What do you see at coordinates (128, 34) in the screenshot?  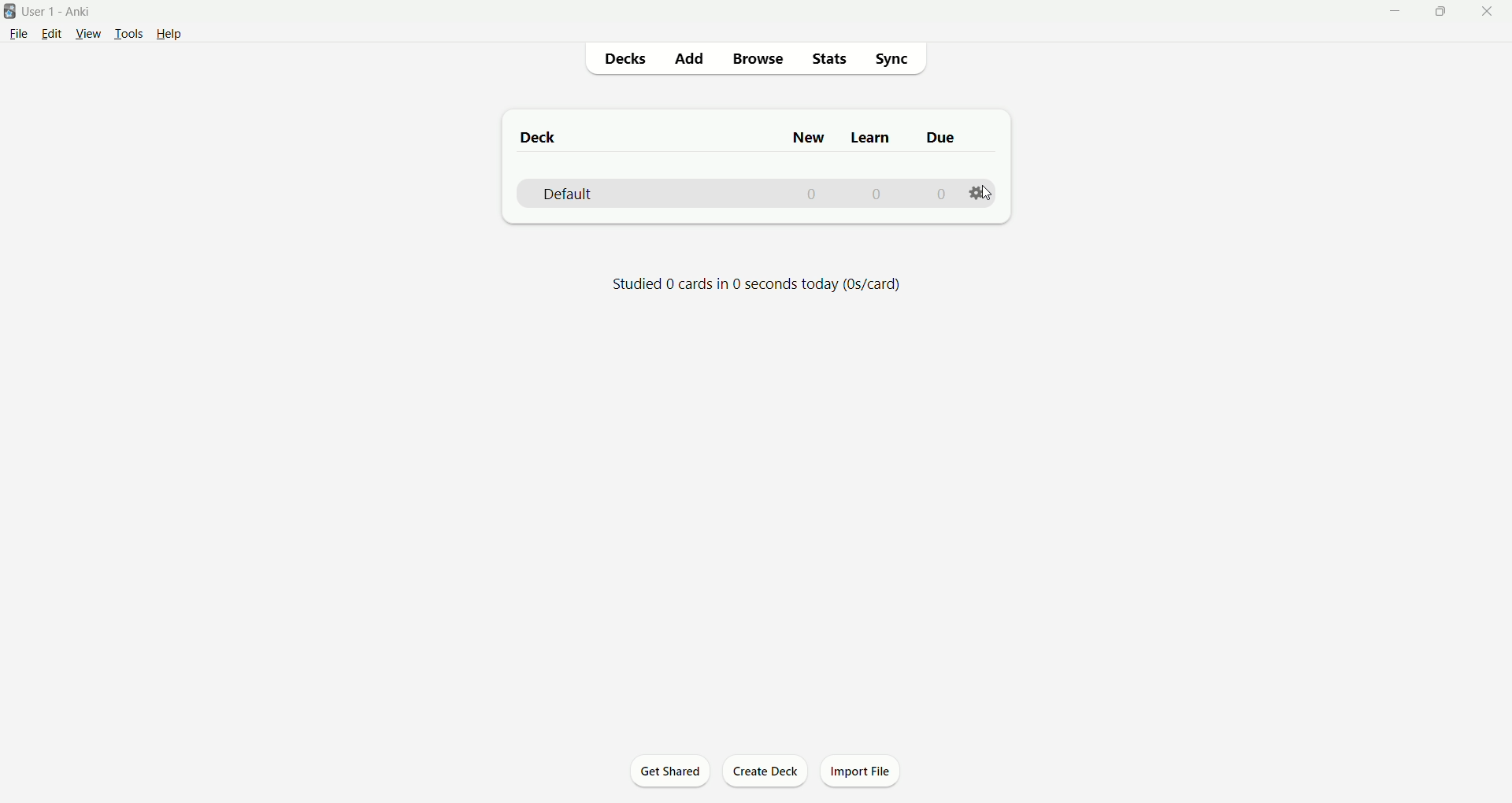 I see `tools` at bounding box center [128, 34].